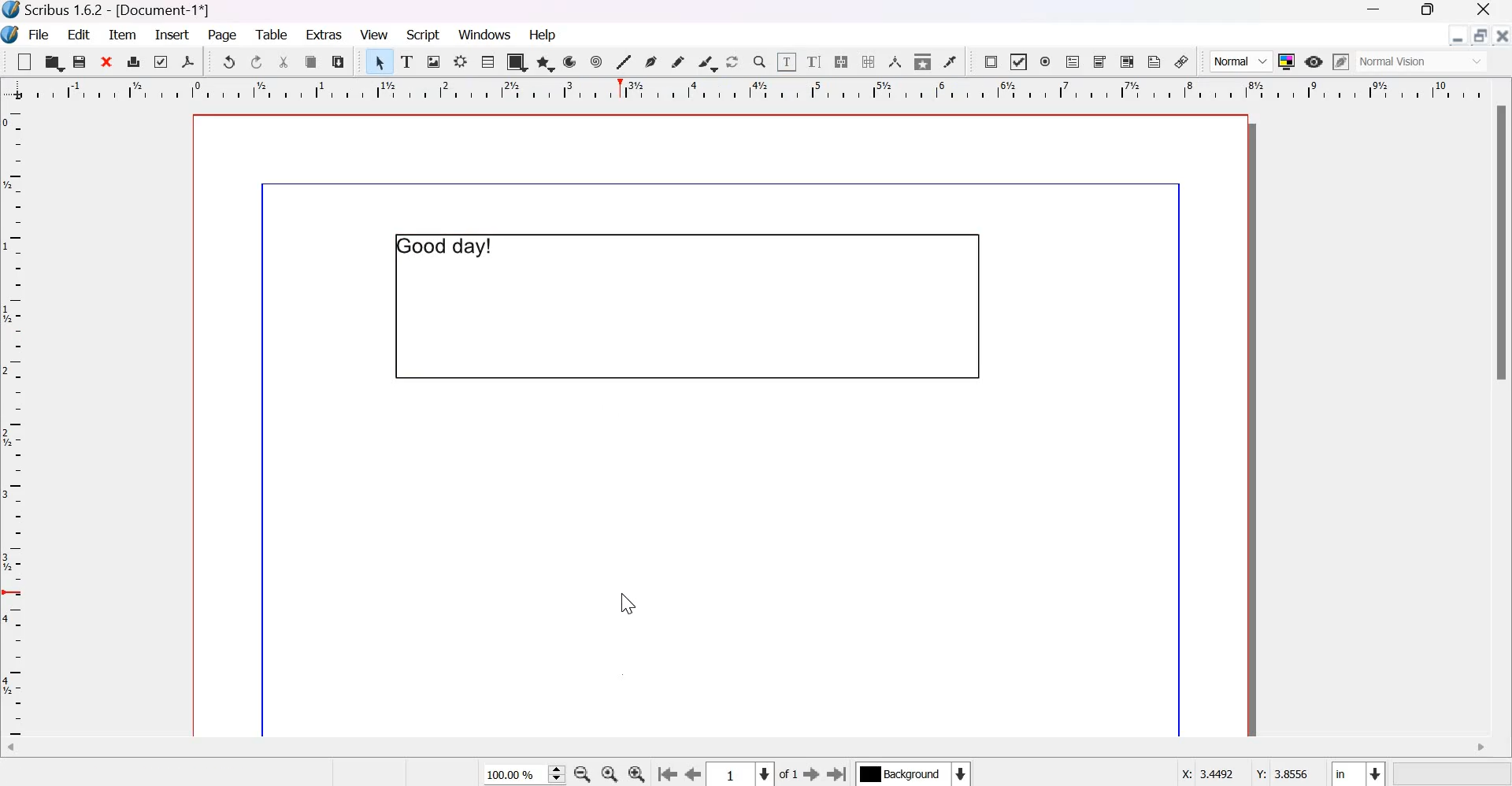 Image resolution: width=1512 pixels, height=786 pixels. What do you see at coordinates (1073, 63) in the screenshot?
I see `PDF text field` at bounding box center [1073, 63].